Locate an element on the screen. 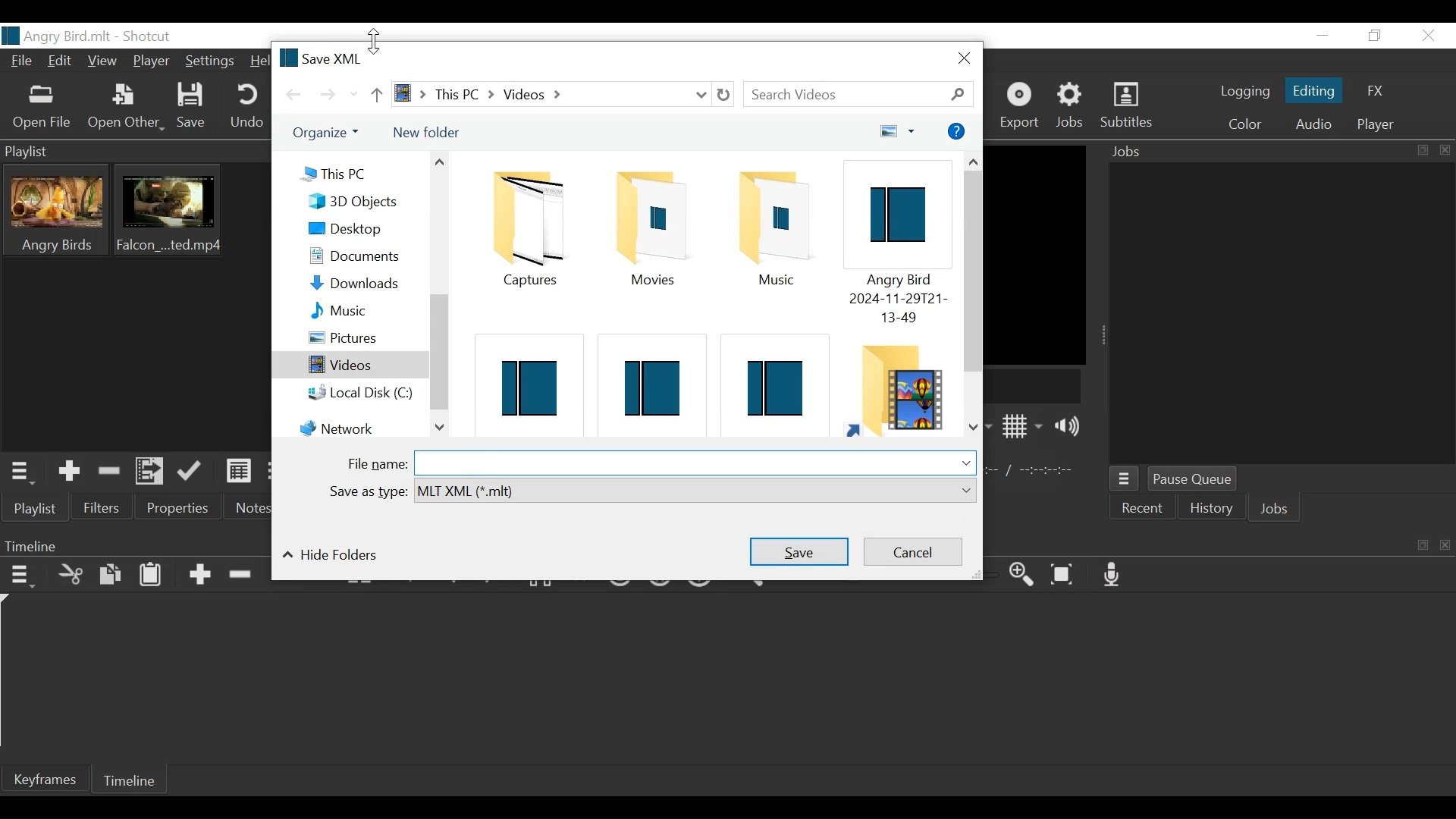 The height and width of the screenshot is (819, 1456). Color is located at coordinates (1244, 124).